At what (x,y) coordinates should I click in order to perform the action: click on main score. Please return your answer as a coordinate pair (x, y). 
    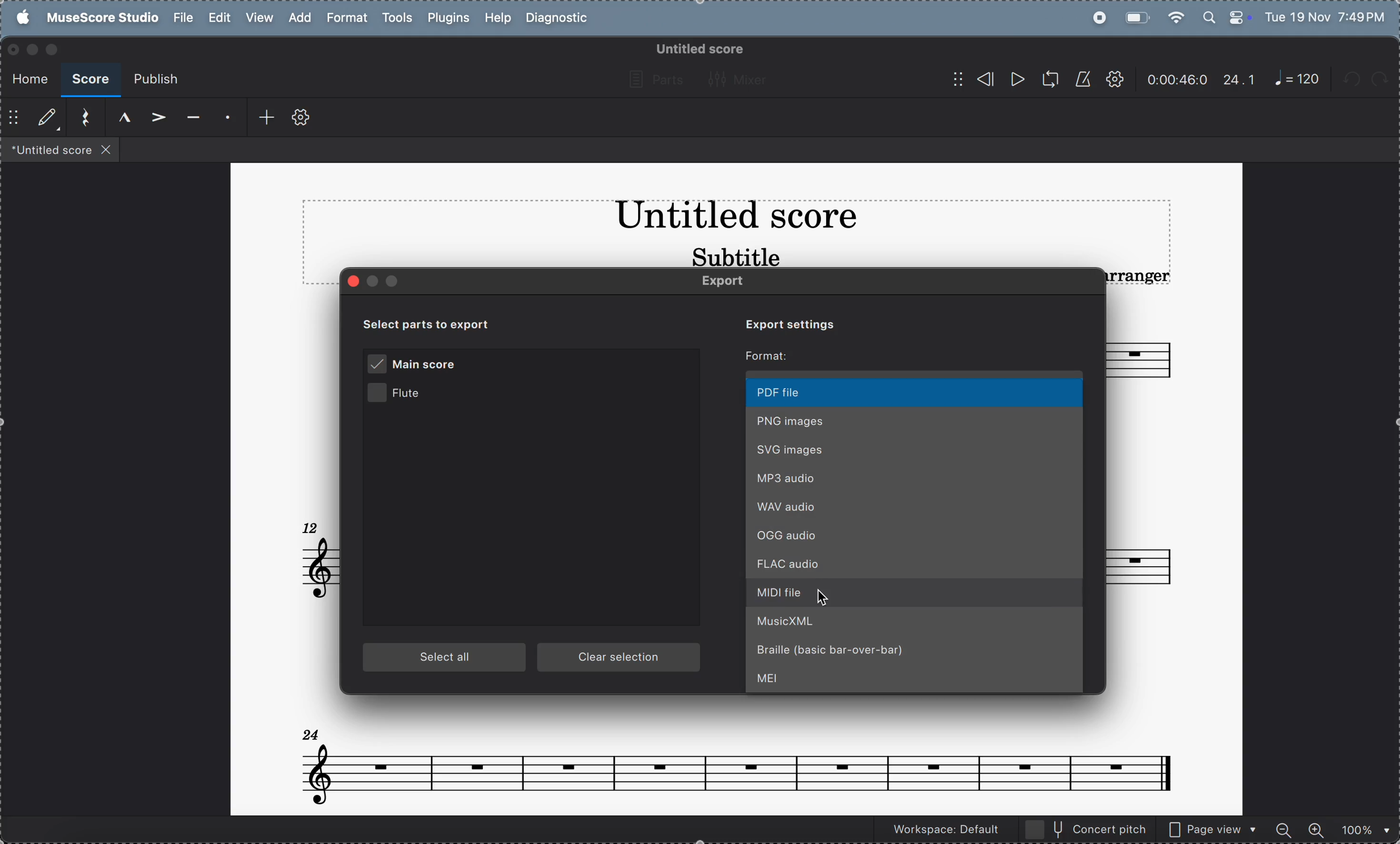
    Looking at the image, I should click on (416, 365).